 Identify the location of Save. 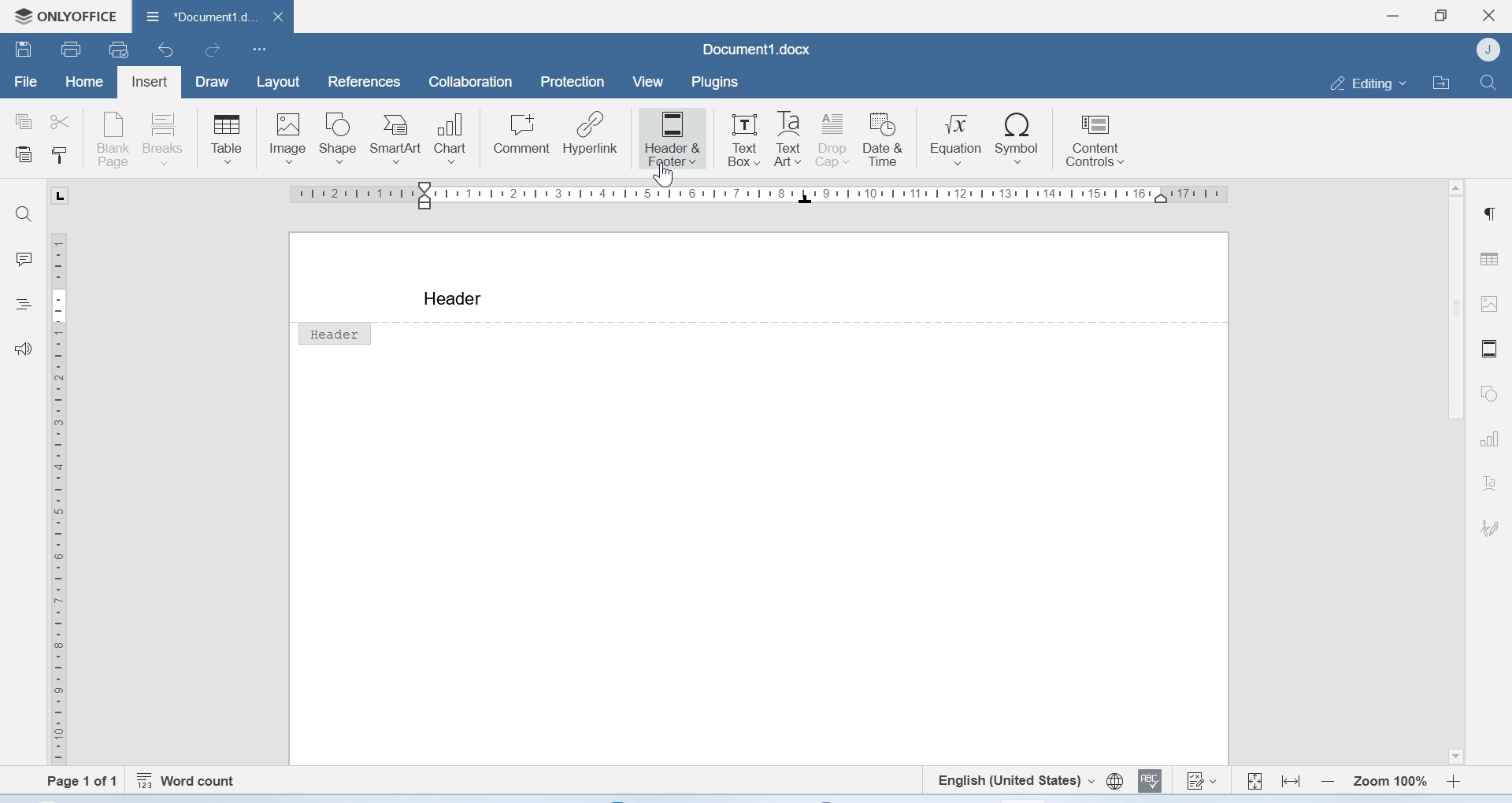
(24, 51).